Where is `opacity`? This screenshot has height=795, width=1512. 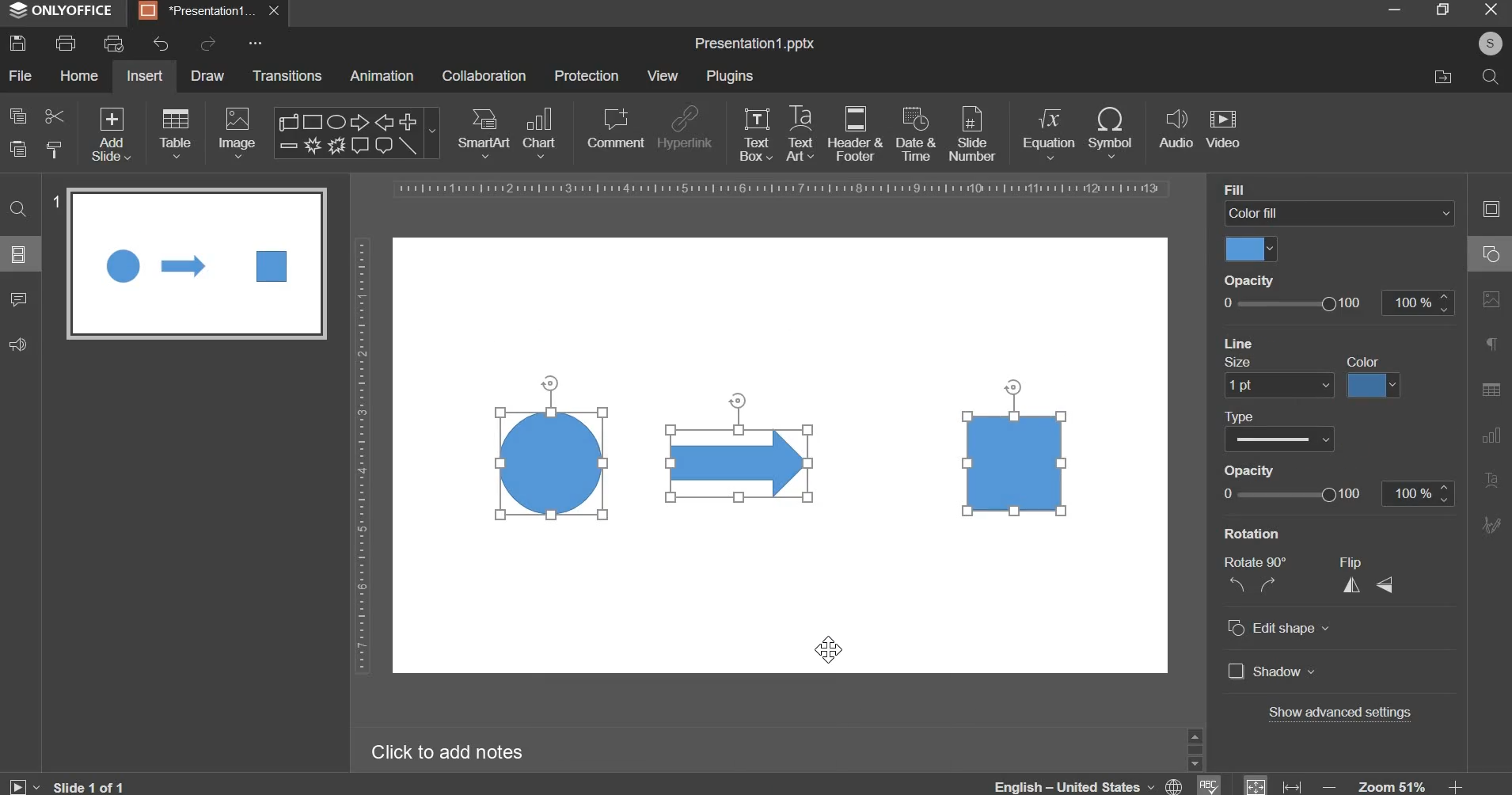
opacity is located at coordinates (1253, 470).